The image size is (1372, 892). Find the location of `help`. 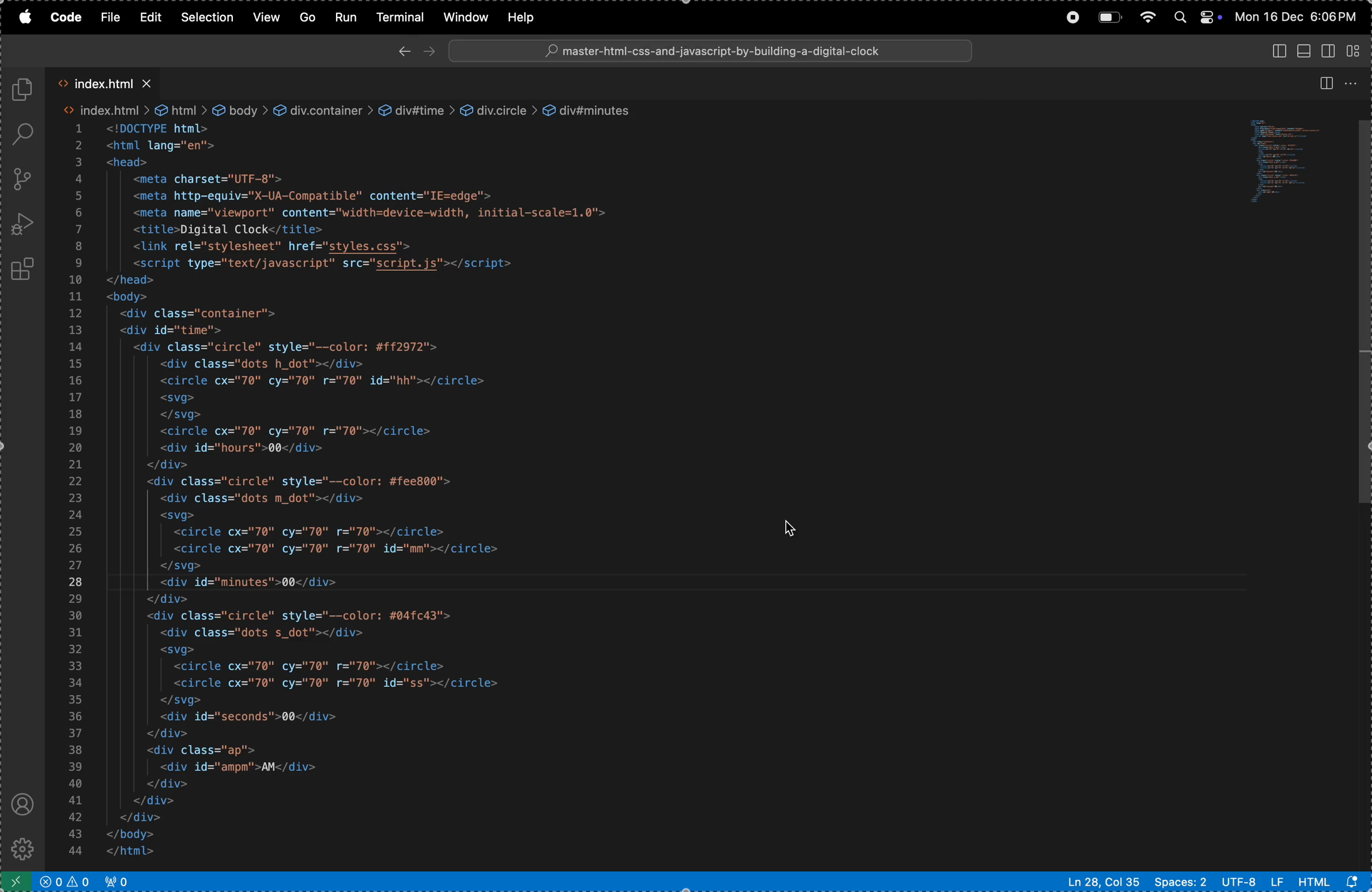

help is located at coordinates (529, 17).